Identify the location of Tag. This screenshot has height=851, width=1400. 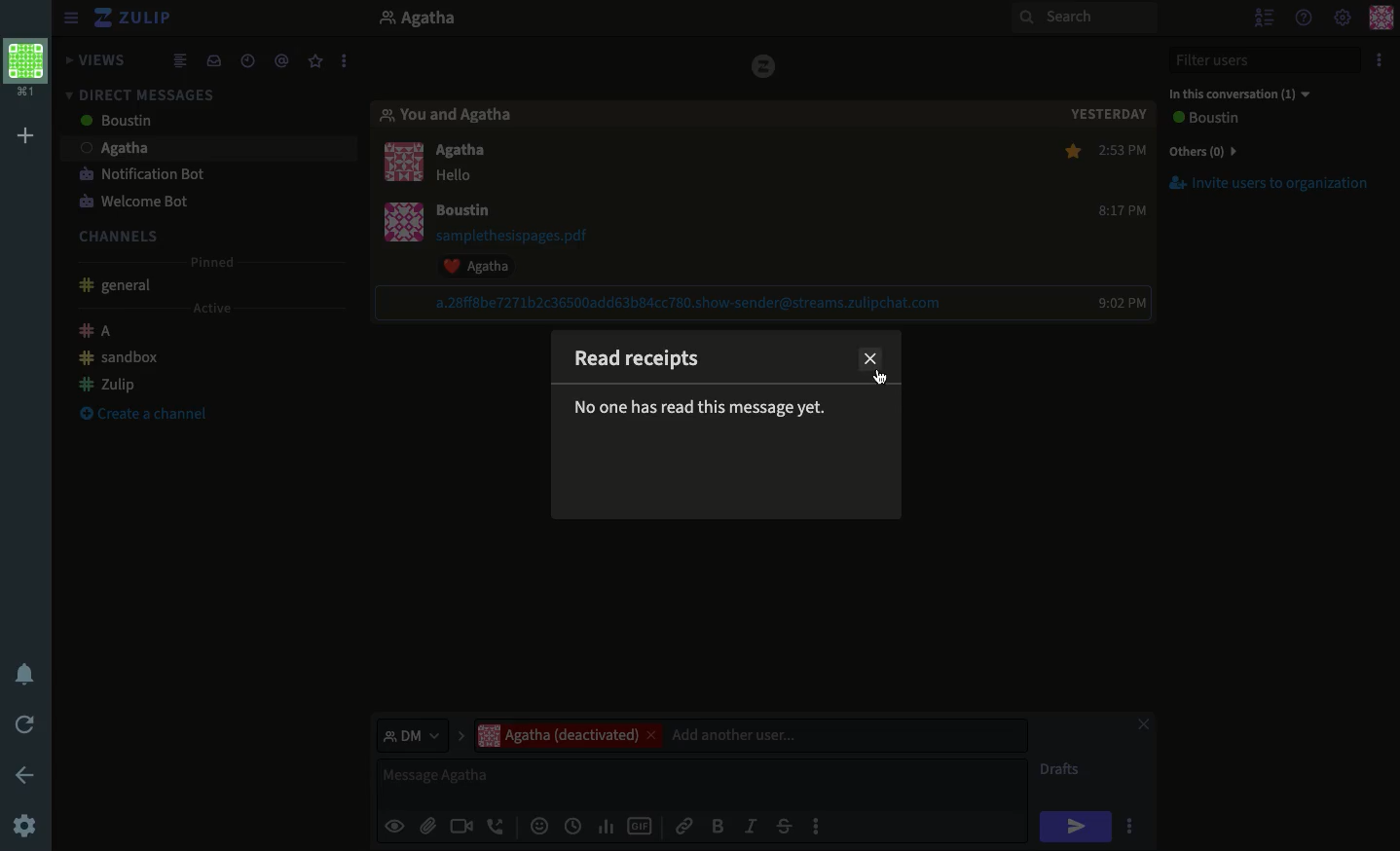
(284, 58).